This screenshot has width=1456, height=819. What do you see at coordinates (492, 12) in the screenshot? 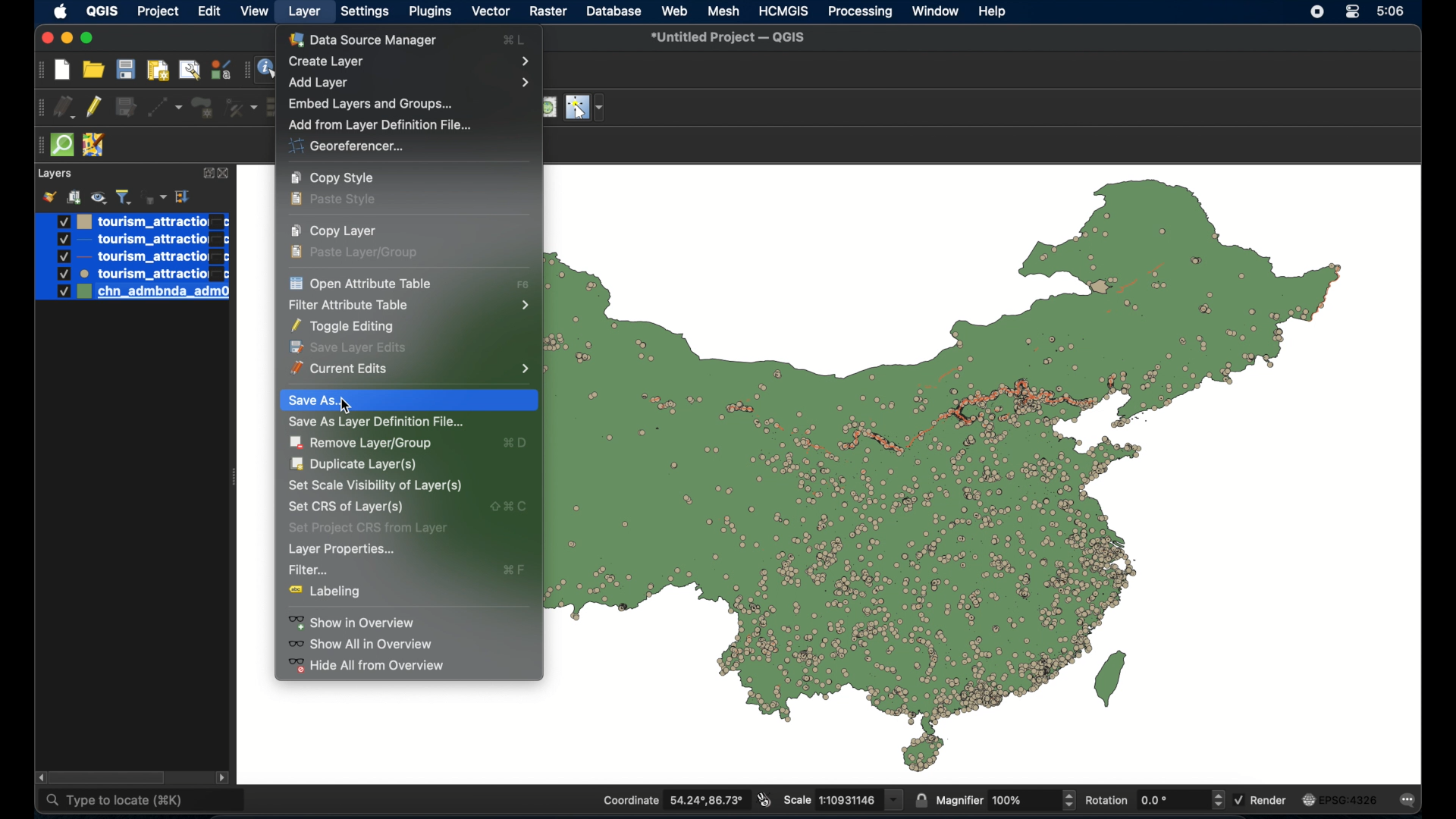
I see `vector` at bounding box center [492, 12].